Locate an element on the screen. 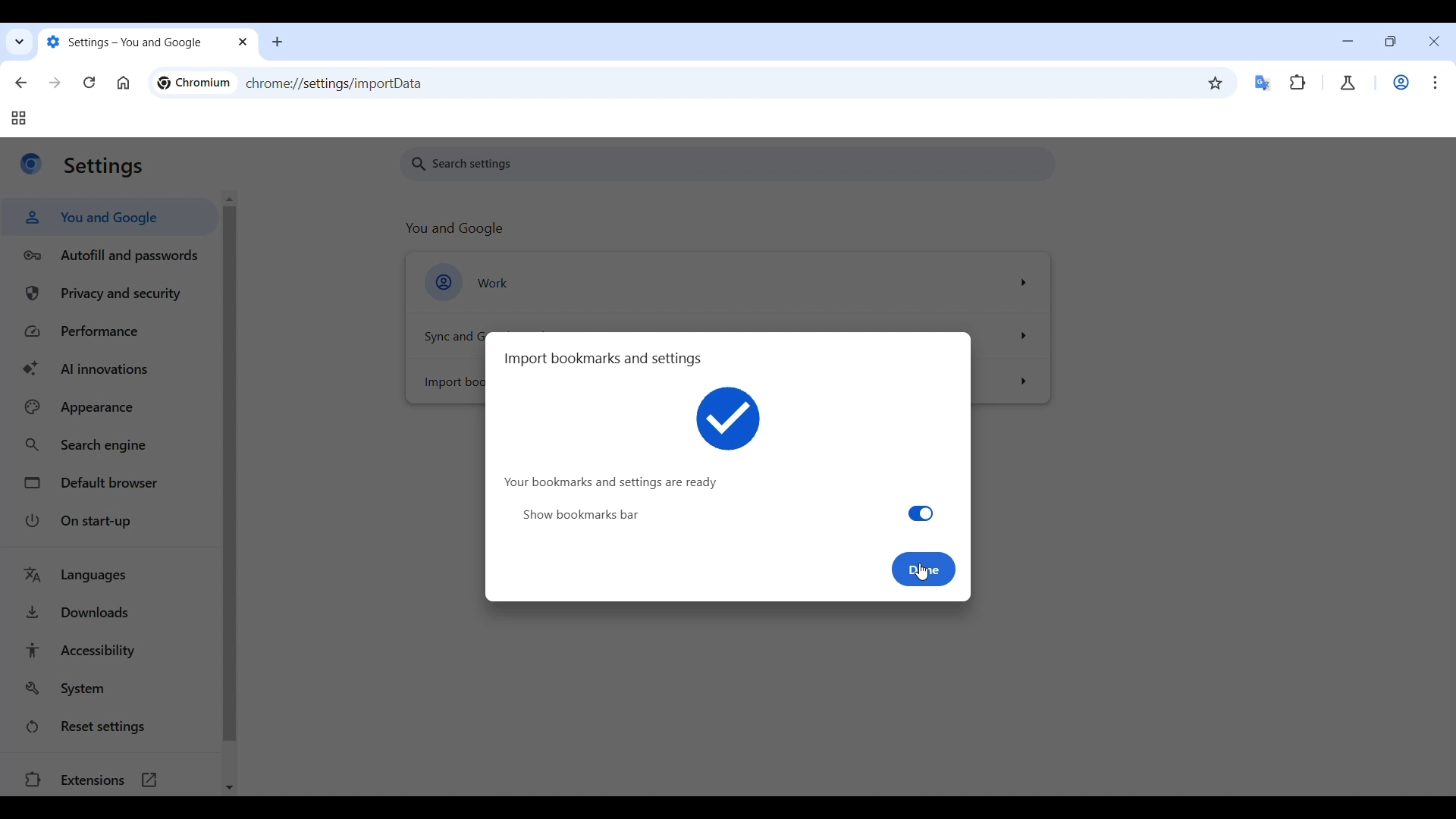  Add new tab is located at coordinates (278, 42).